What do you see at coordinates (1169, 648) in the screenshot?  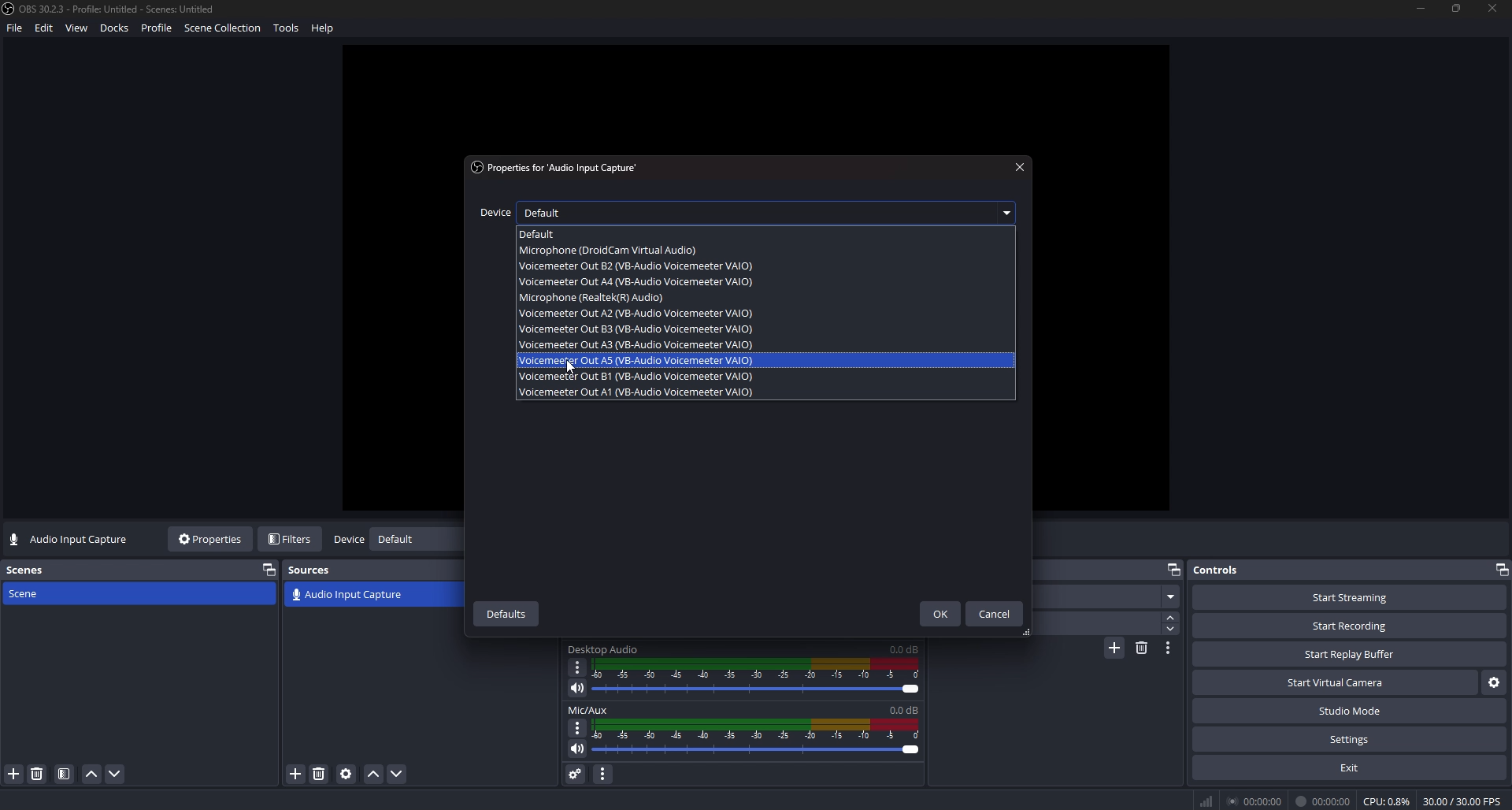 I see `transition properties` at bounding box center [1169, 648].